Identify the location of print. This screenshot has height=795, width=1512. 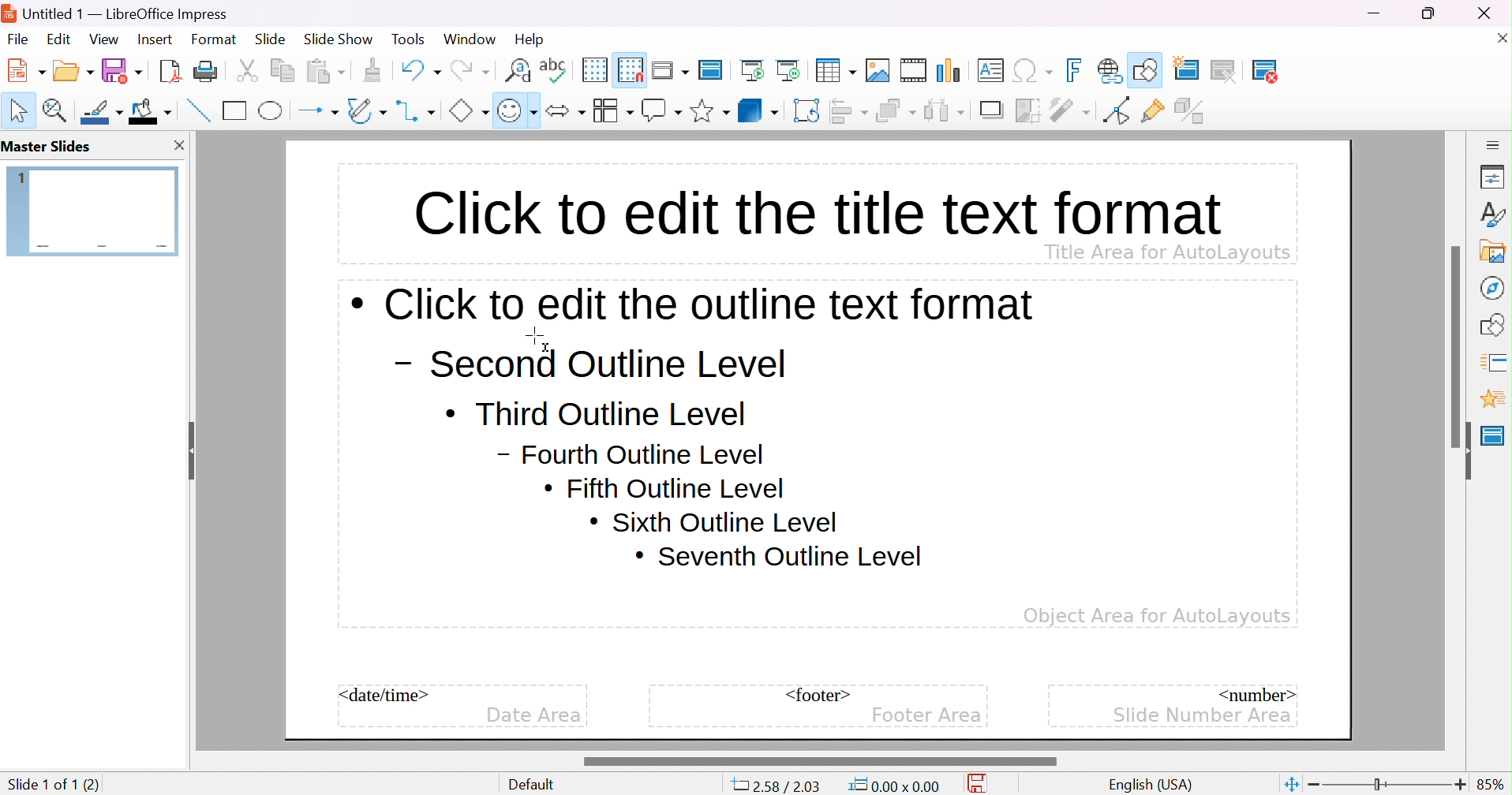
(205, 70).